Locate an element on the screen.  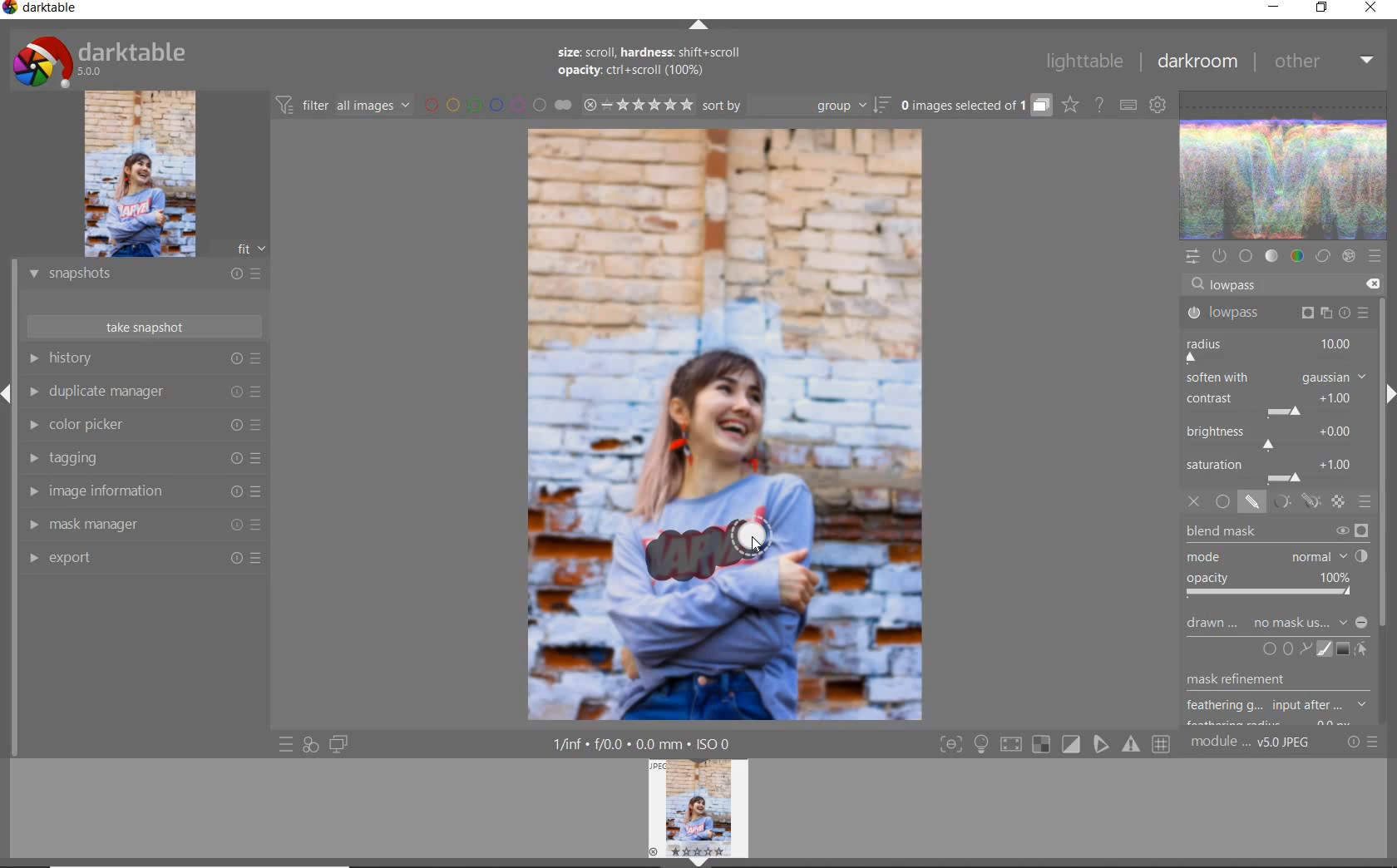
effect is located at coordinates (1346, 257).